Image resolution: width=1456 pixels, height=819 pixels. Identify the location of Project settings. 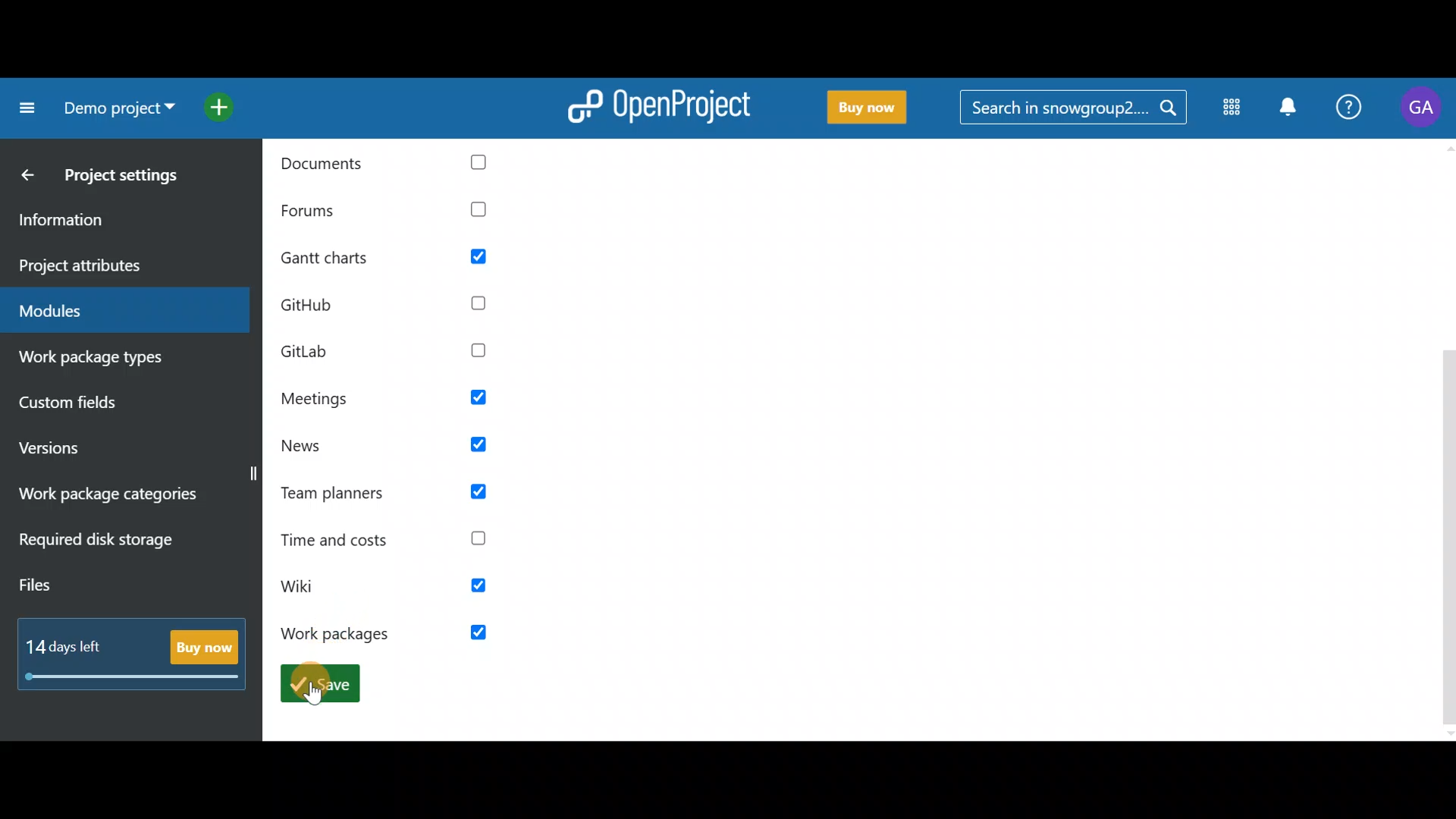
(129, 179).